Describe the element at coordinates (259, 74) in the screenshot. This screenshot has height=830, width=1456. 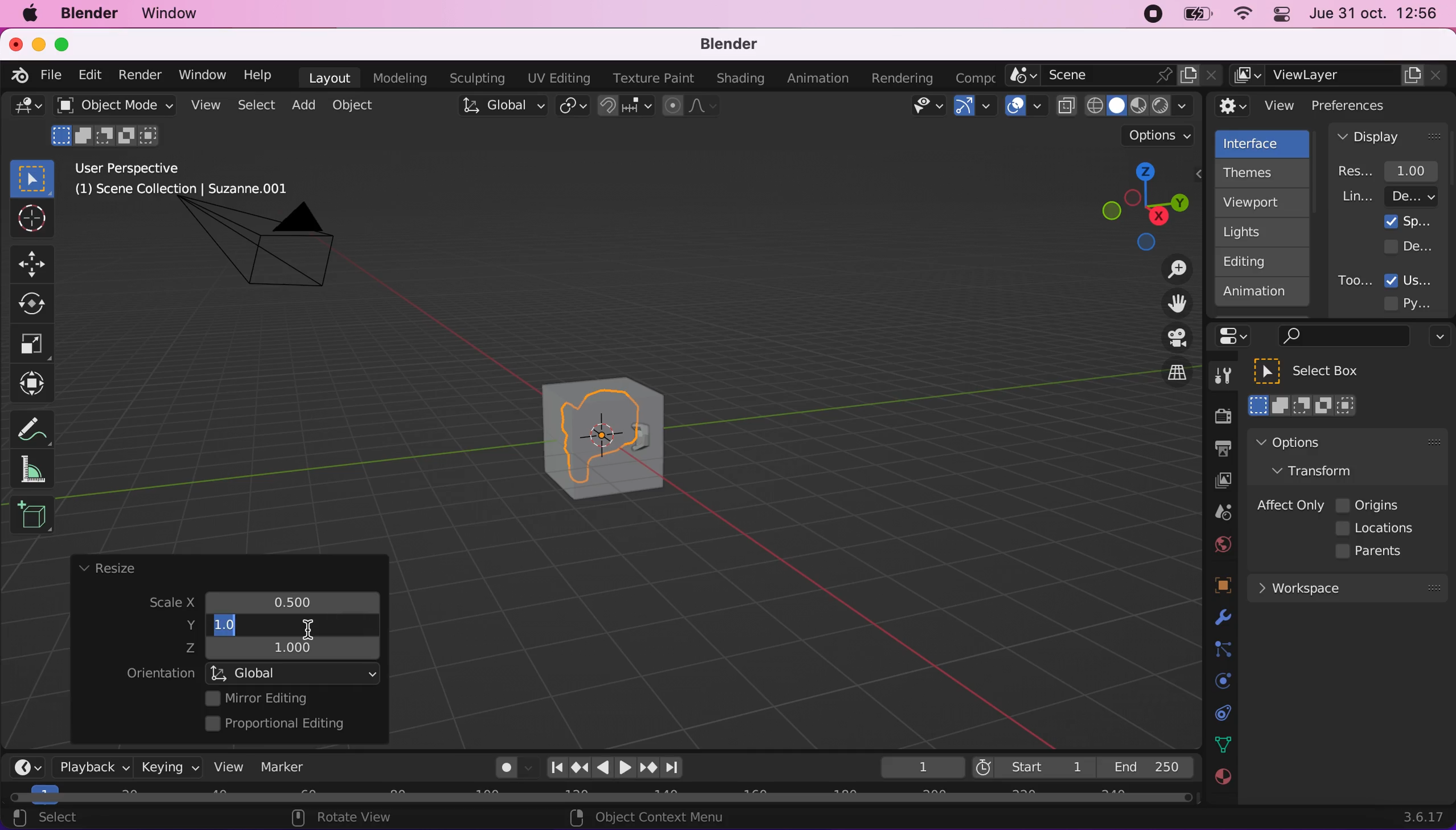
I see `help` at that location.